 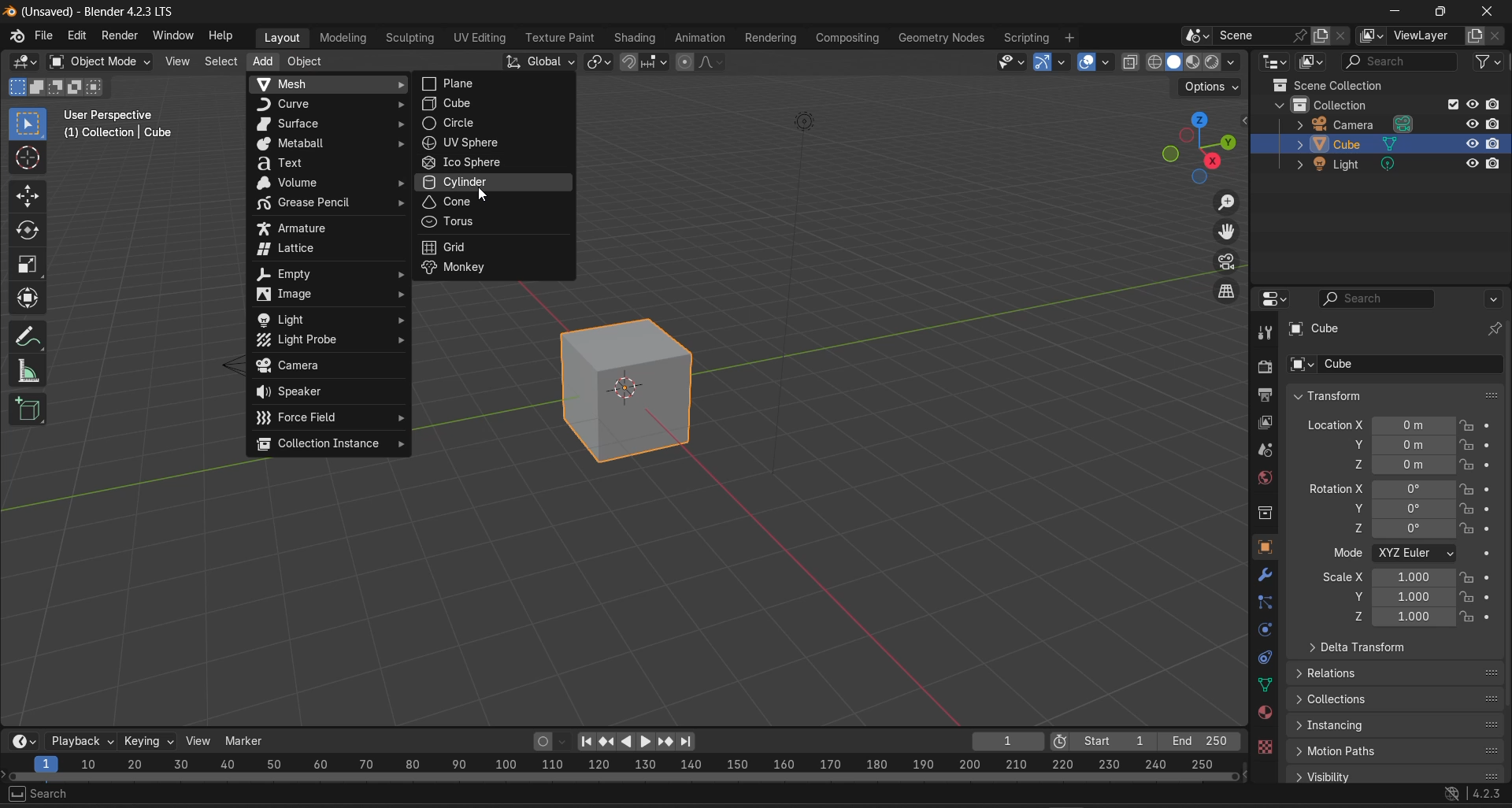 What do you see at coordinates (329, 183) in the screenshot?
I see `volume` at bounding box center [329, 183].